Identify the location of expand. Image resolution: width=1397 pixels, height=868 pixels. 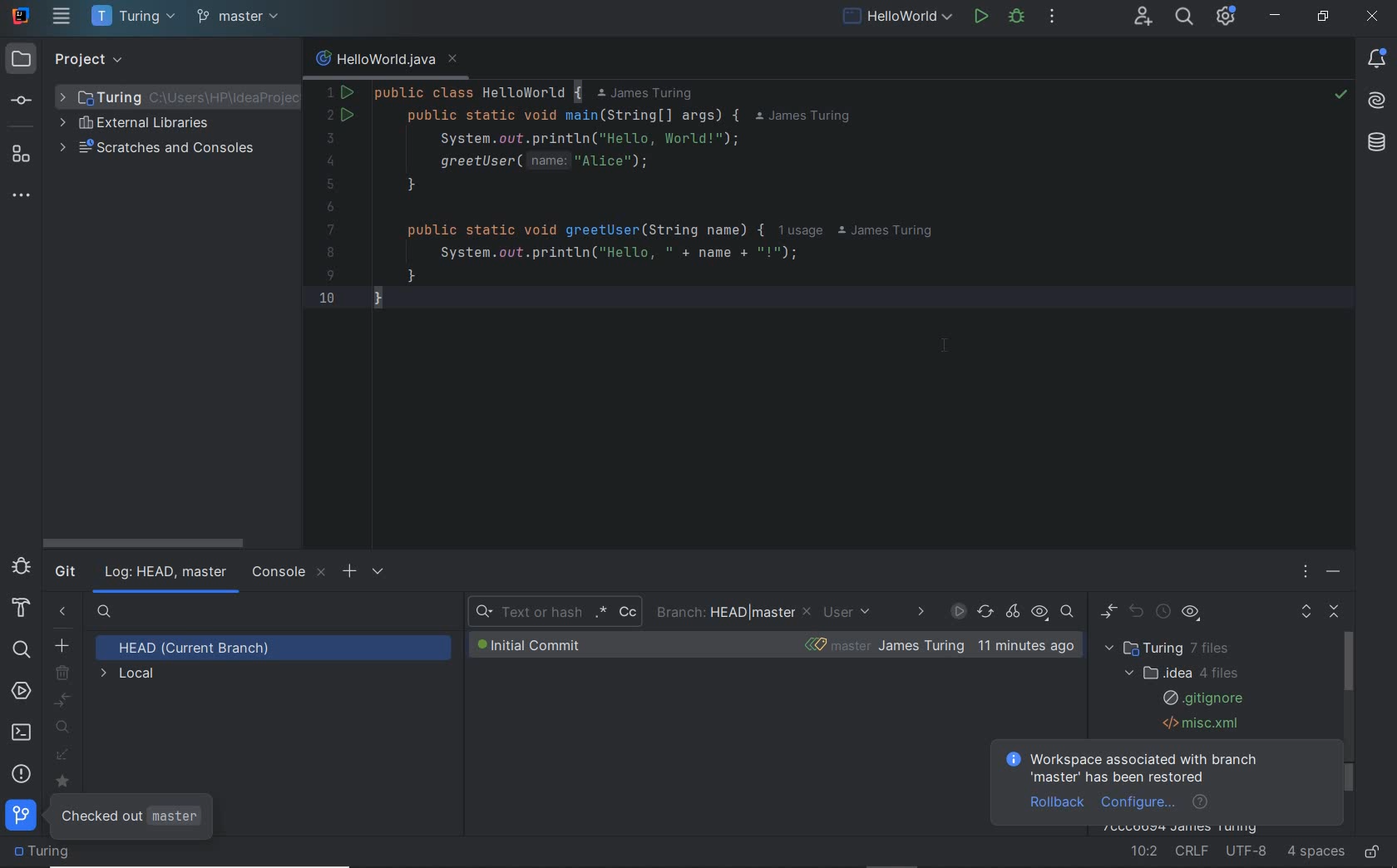
(200, 60).